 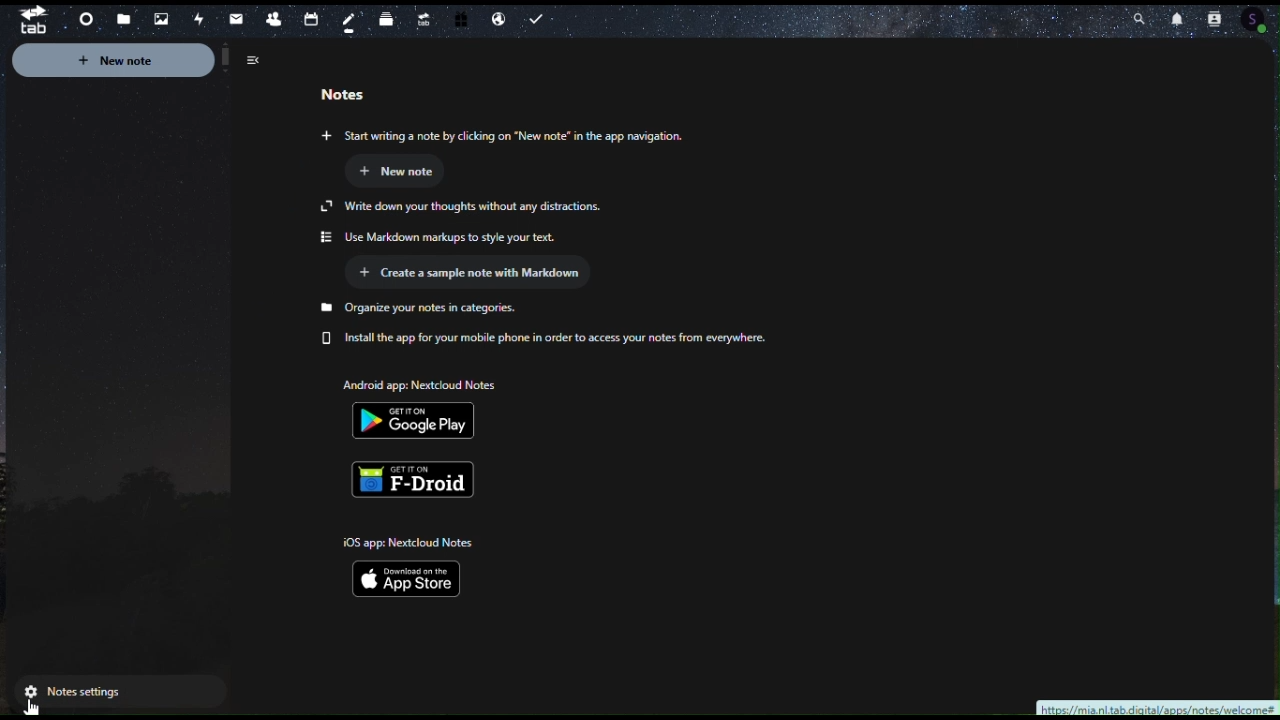 I want to click on deck, so click(x=387, y=16).